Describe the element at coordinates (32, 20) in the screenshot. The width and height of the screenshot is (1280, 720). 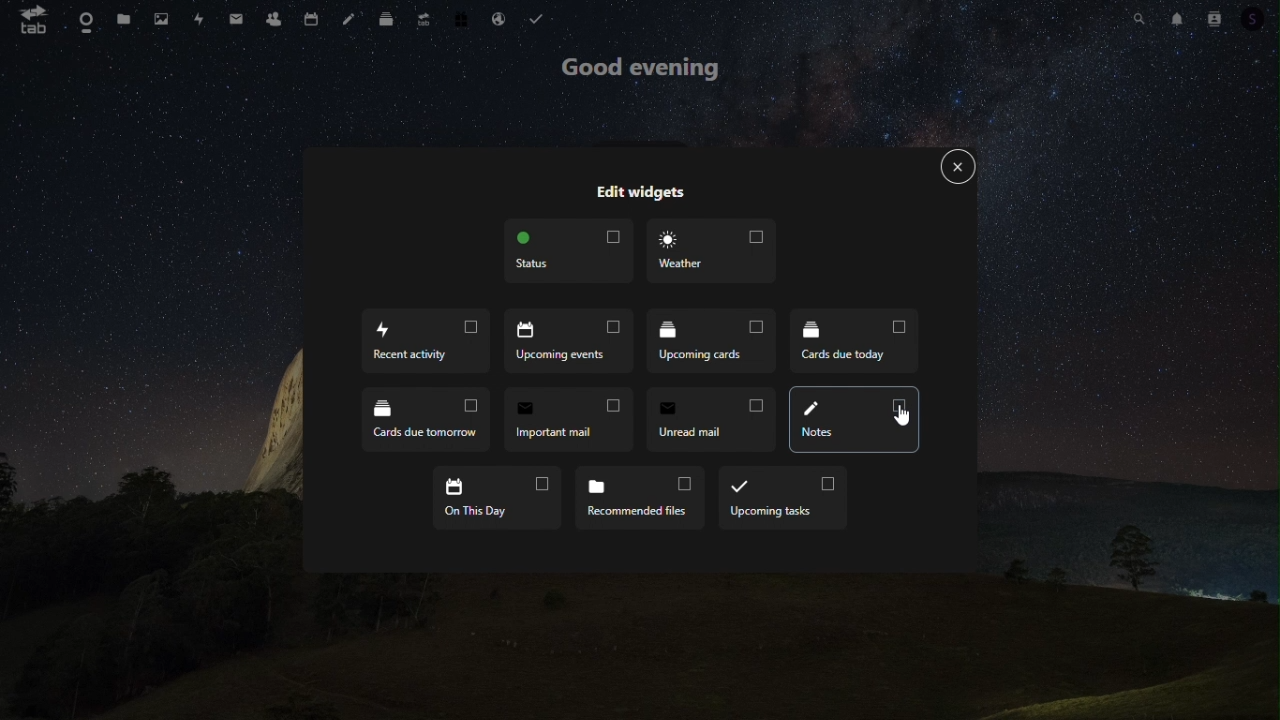
I see `tab` at that location.